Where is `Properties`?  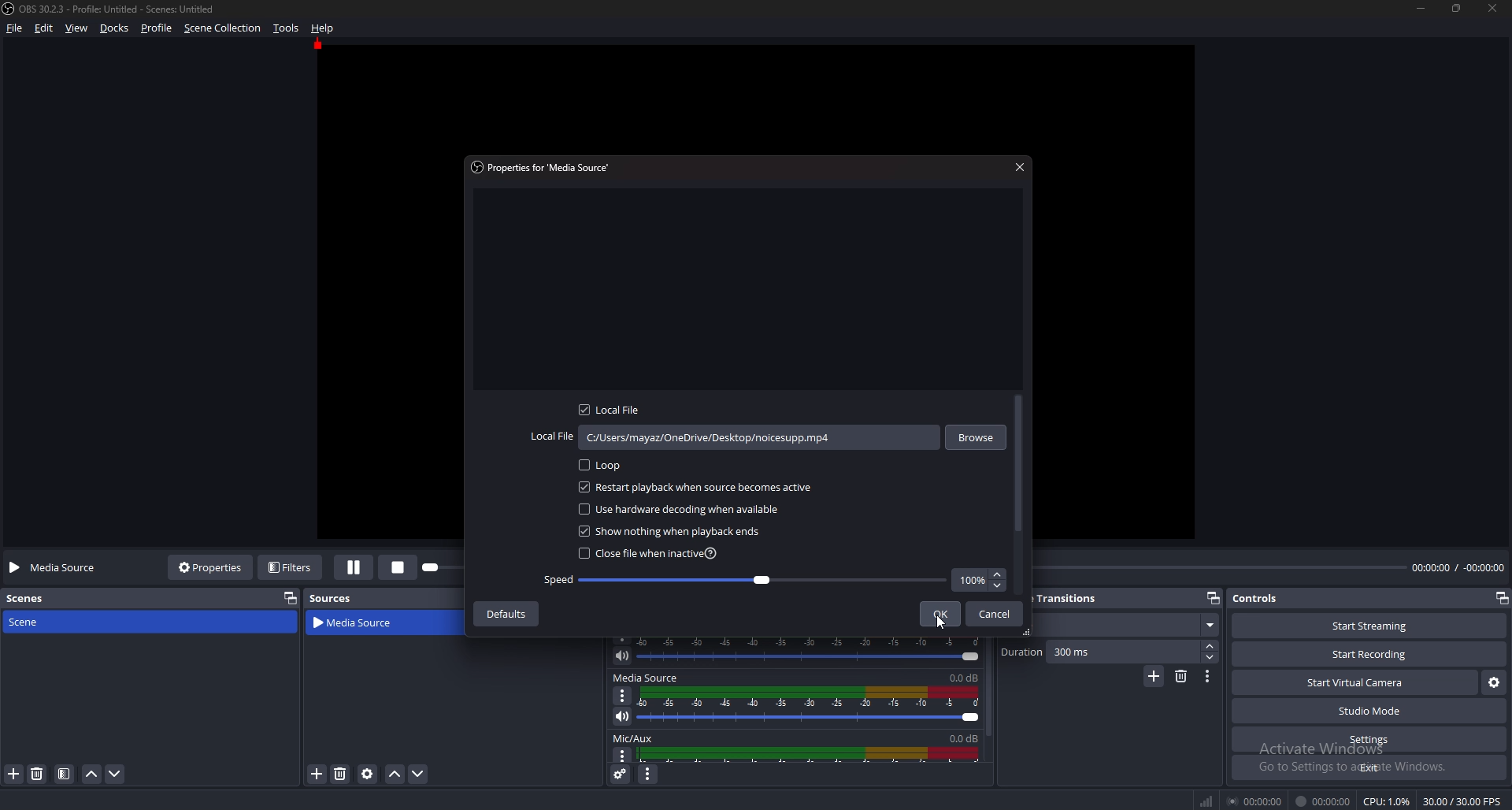
Properties is located at coordinates (210, 567).